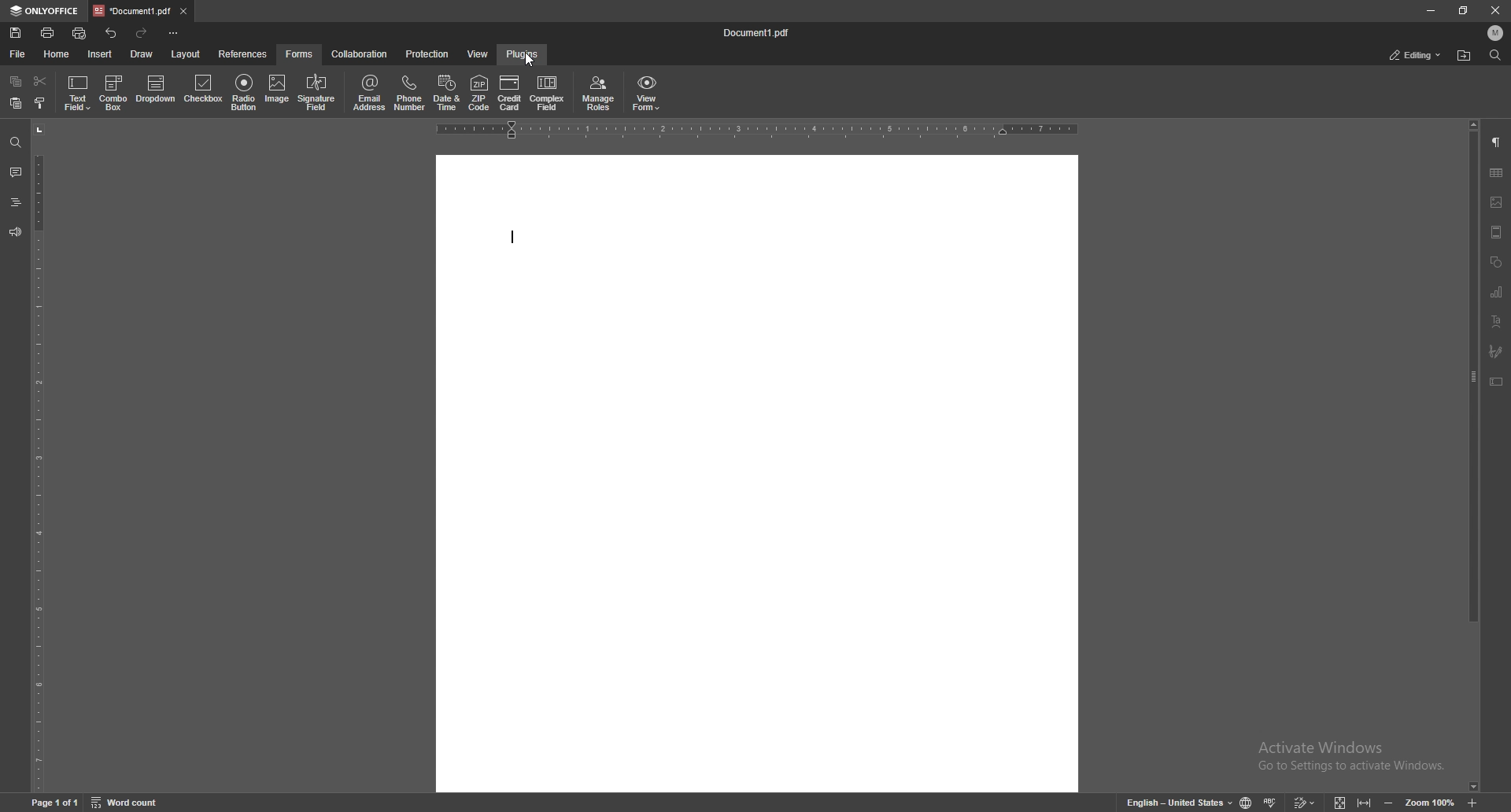  Describe the element at coordinates (184, 12) in the screenshot. I see `close tab` at that location.